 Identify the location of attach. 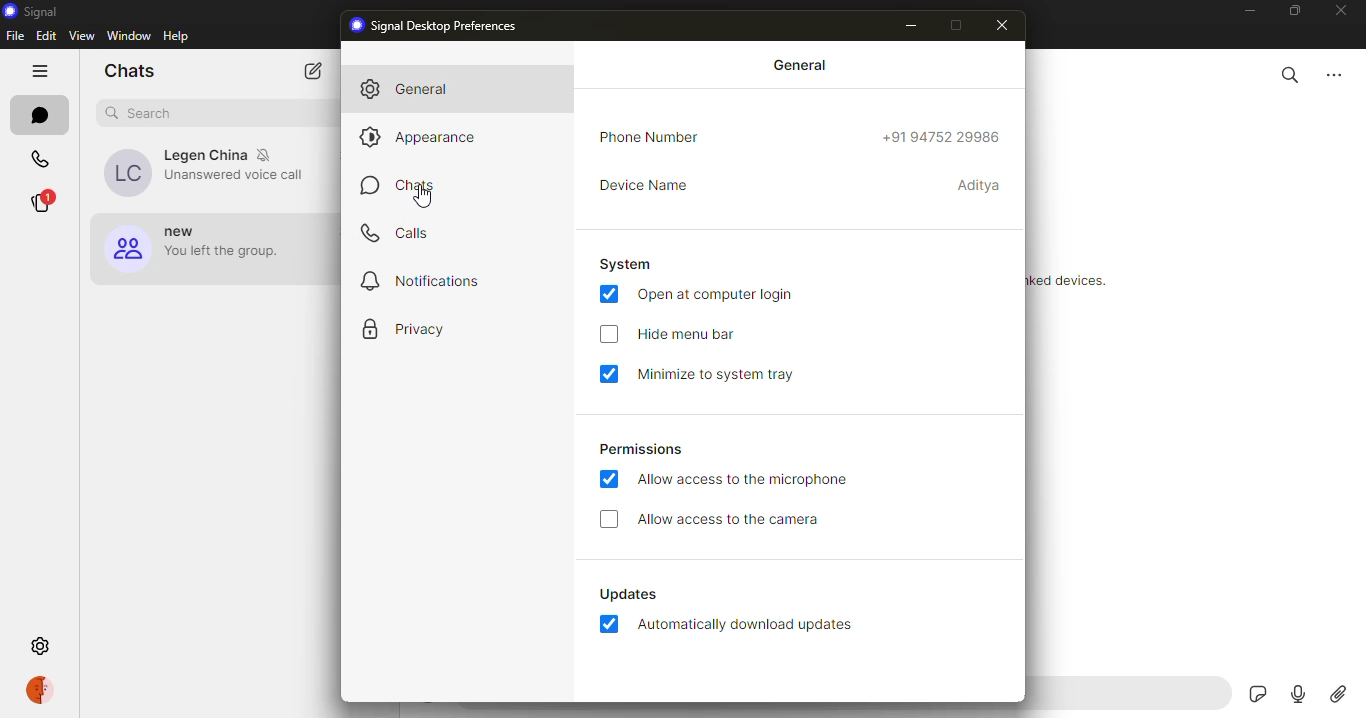
(1339, 695).